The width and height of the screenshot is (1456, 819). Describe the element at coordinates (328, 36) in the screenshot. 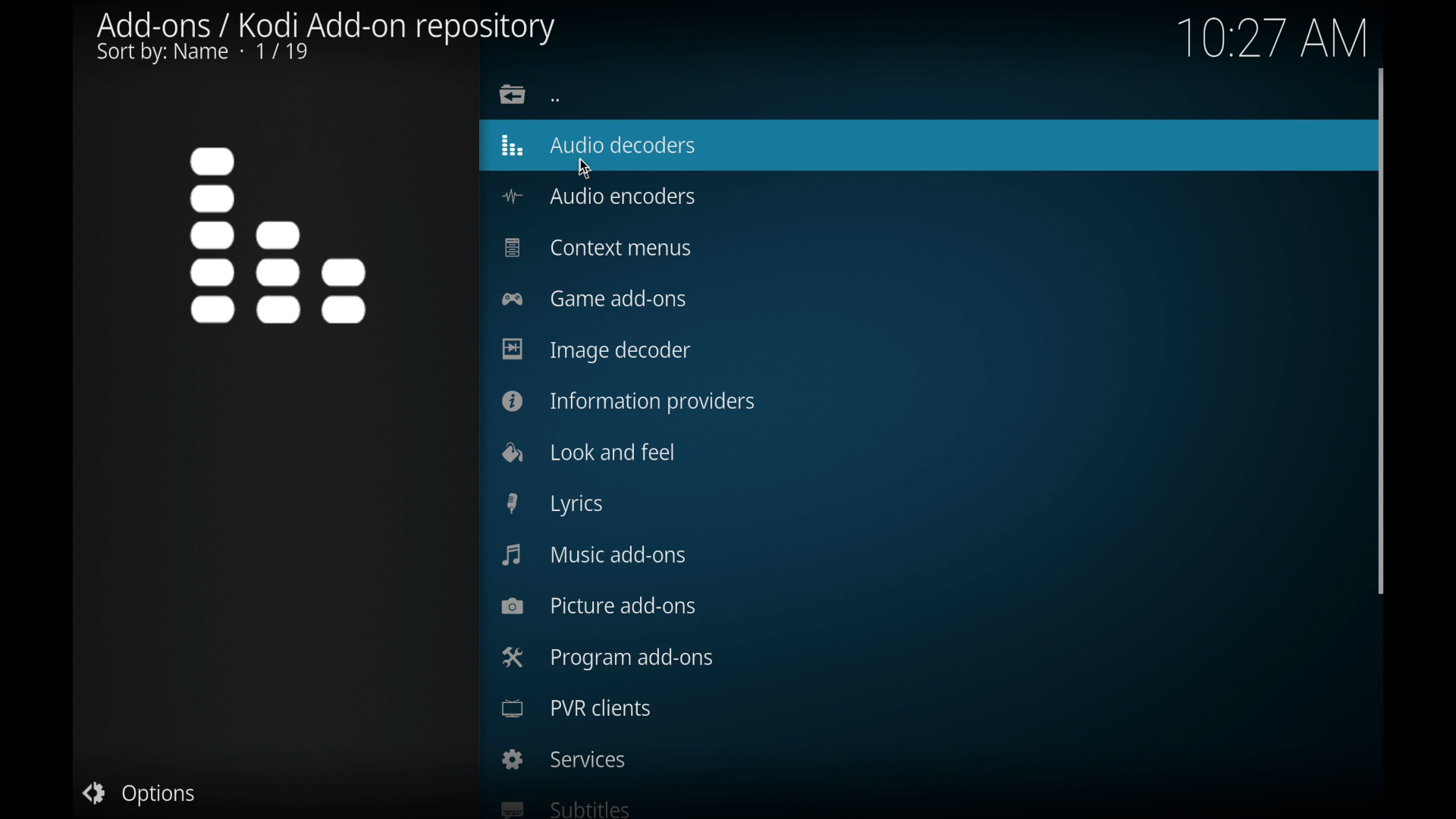

I see `add-ons/ kodi add-on repository` at that location.